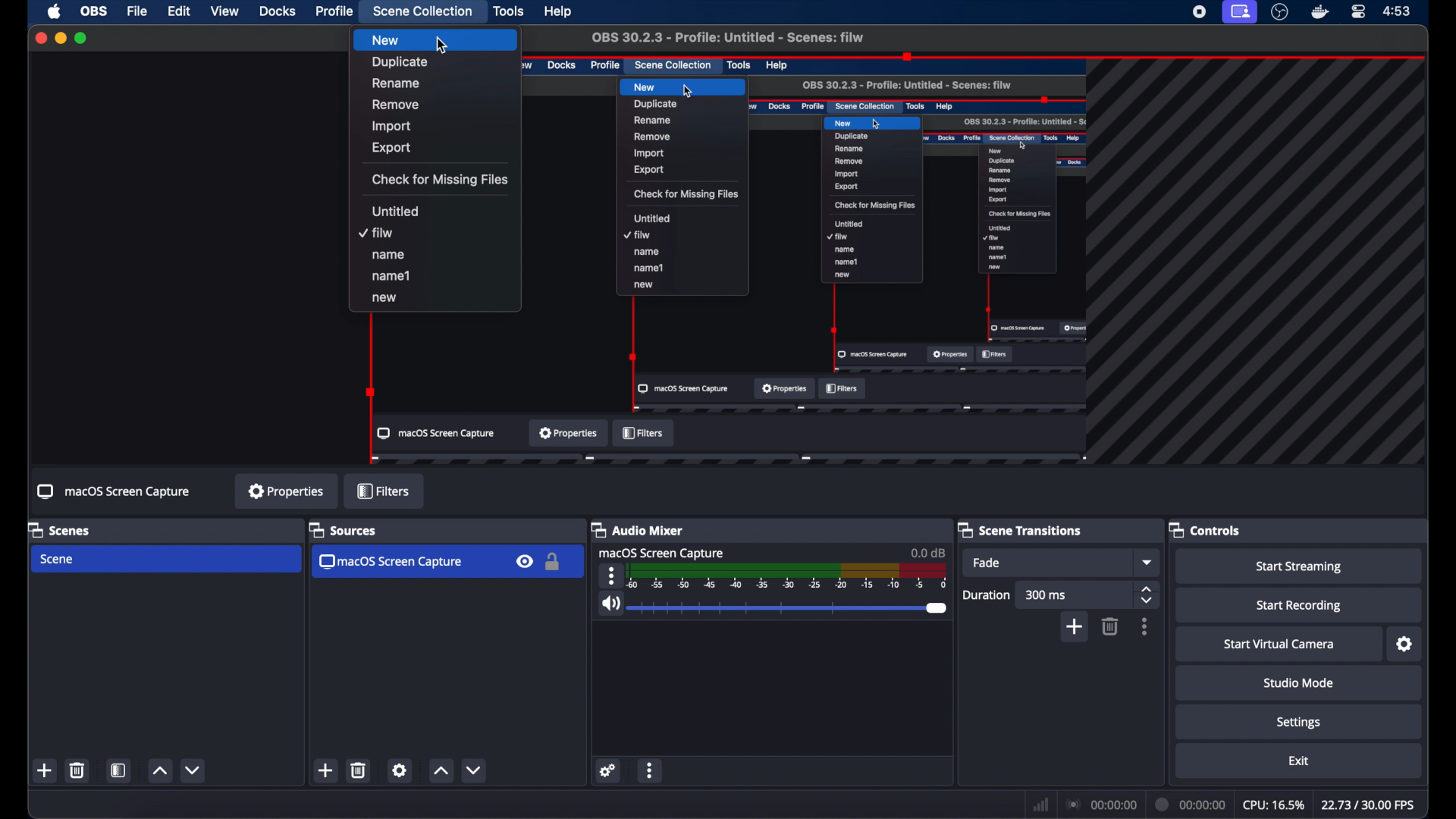 The width and height of the screenshot is (1456, 819). Describe the element at coordinates (114, 492) in the screenshot. I see `macOS screen capture` at that location.